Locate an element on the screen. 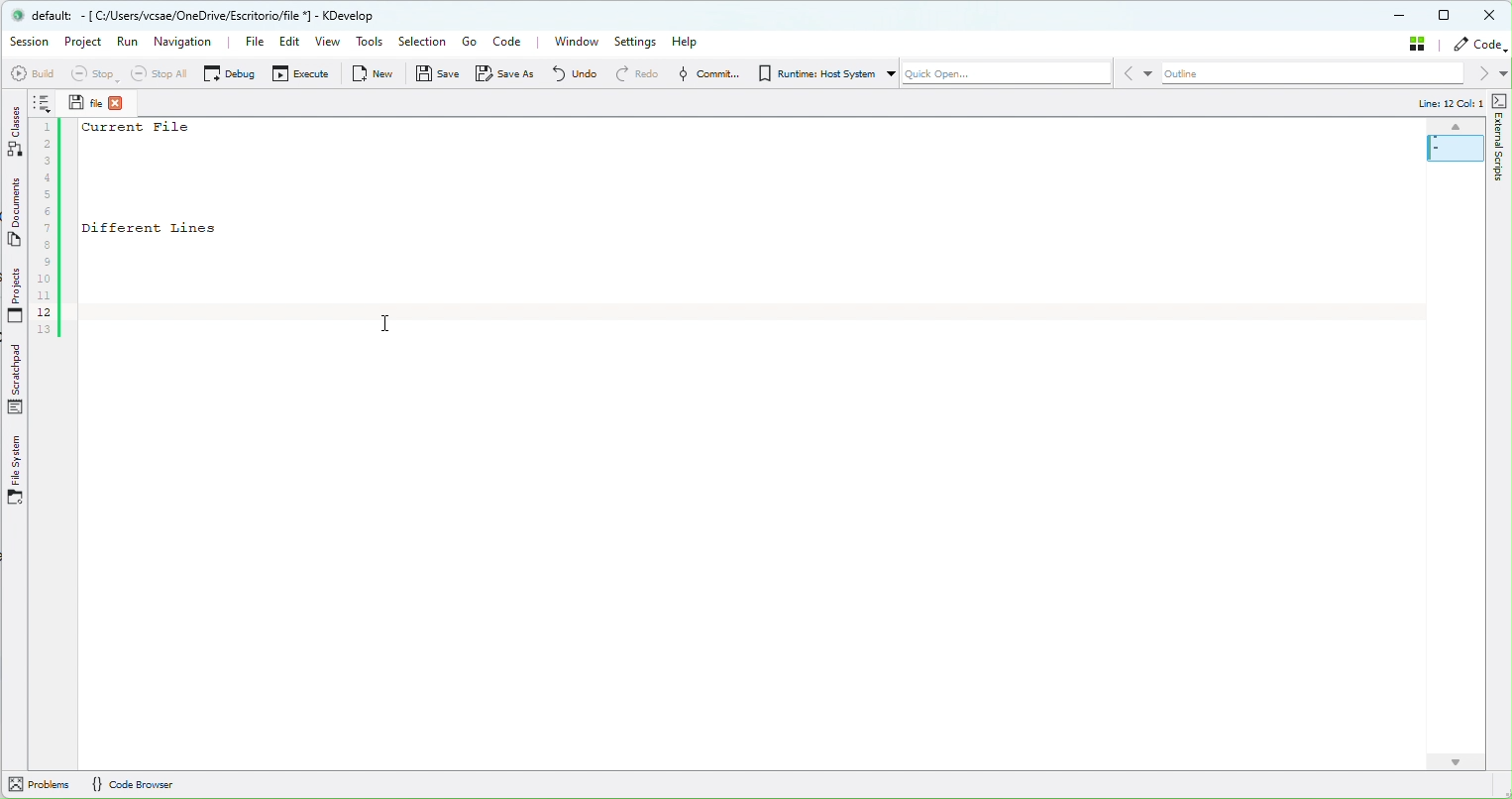 Image resolution: width=1512 pixels, height=799 pixels. File System is located at coordinates (20, 476).